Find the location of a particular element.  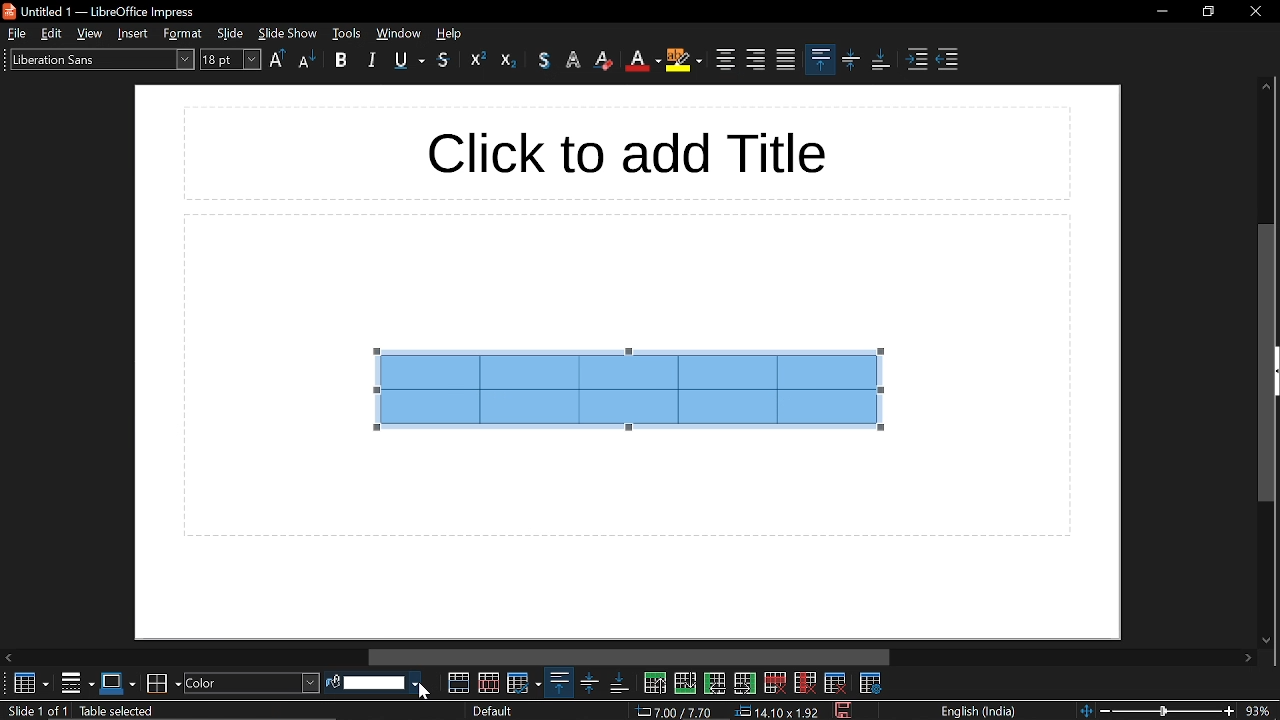

tools is located at coordinates (348, 34).